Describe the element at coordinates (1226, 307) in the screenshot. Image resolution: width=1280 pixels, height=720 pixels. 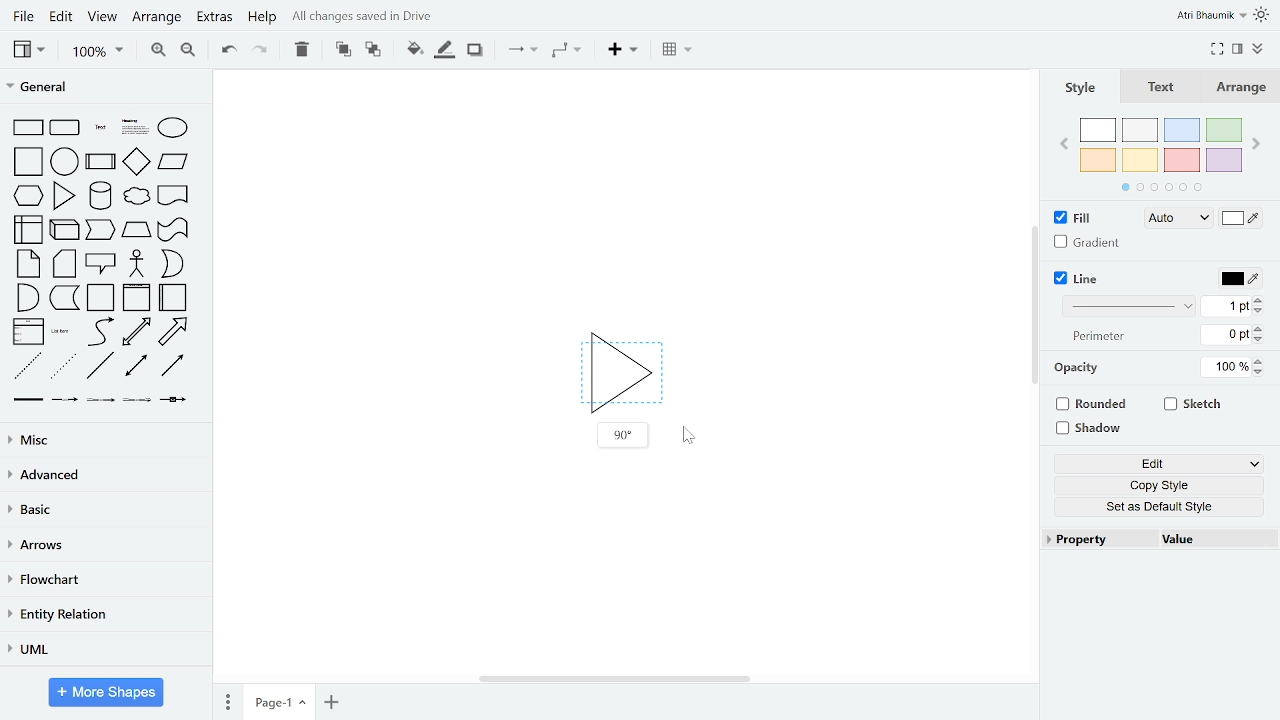
I see `current line width` at that location.